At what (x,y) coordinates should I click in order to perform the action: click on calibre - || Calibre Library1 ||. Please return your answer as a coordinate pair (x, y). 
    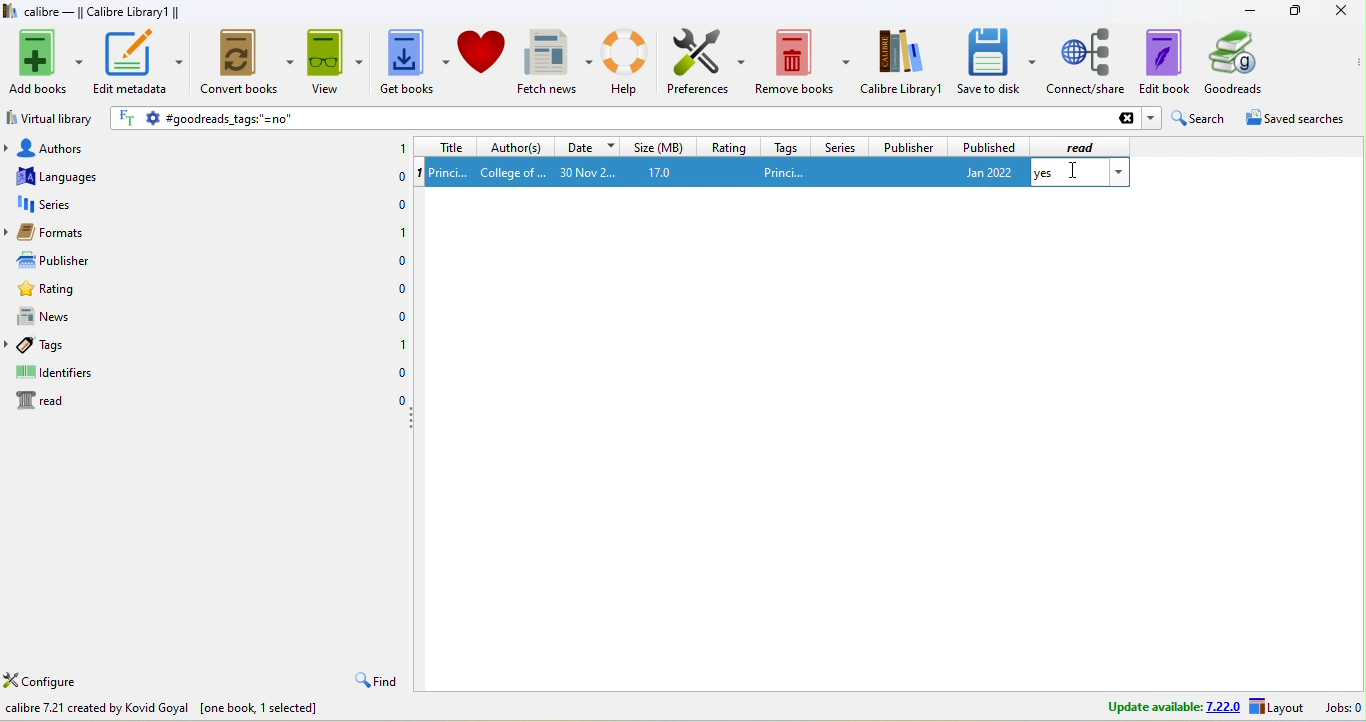
    Looking at the image, I should click on (102, 11).